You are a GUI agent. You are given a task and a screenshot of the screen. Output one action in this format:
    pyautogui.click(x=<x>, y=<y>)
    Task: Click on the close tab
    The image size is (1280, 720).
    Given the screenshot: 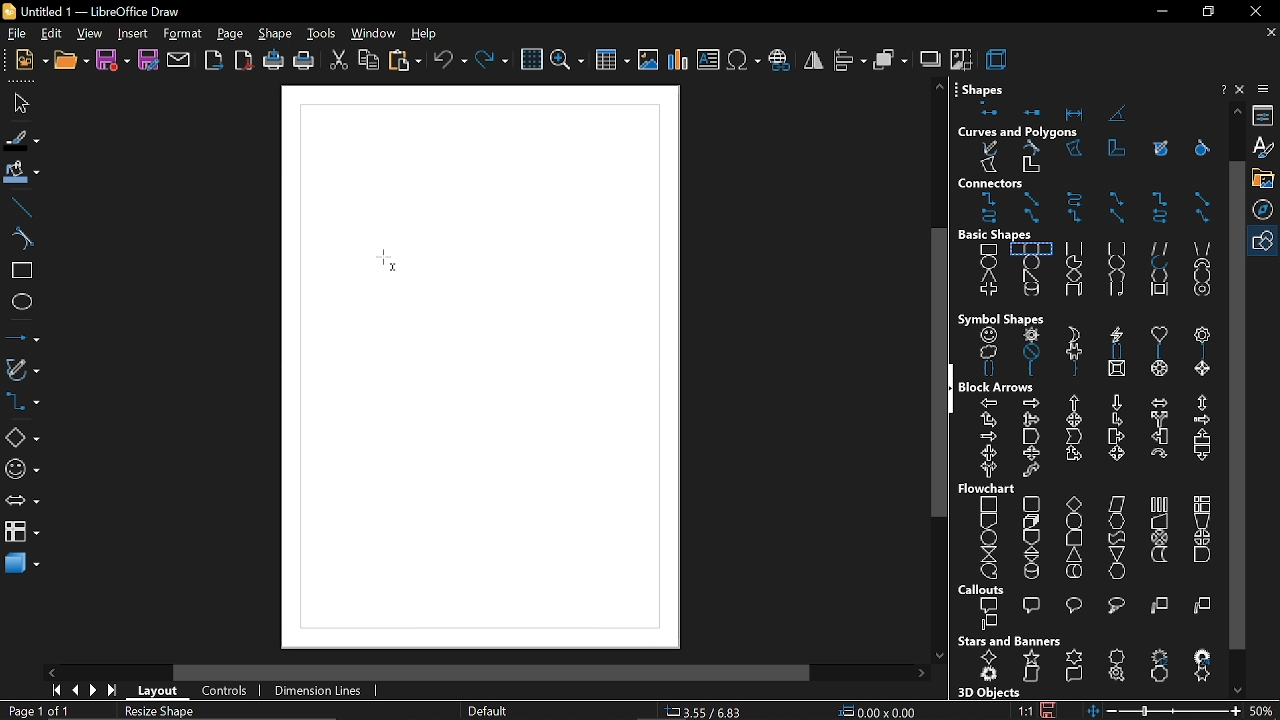 What is the action you would take?
    pyautogui.click(x=1271, y=33)
    